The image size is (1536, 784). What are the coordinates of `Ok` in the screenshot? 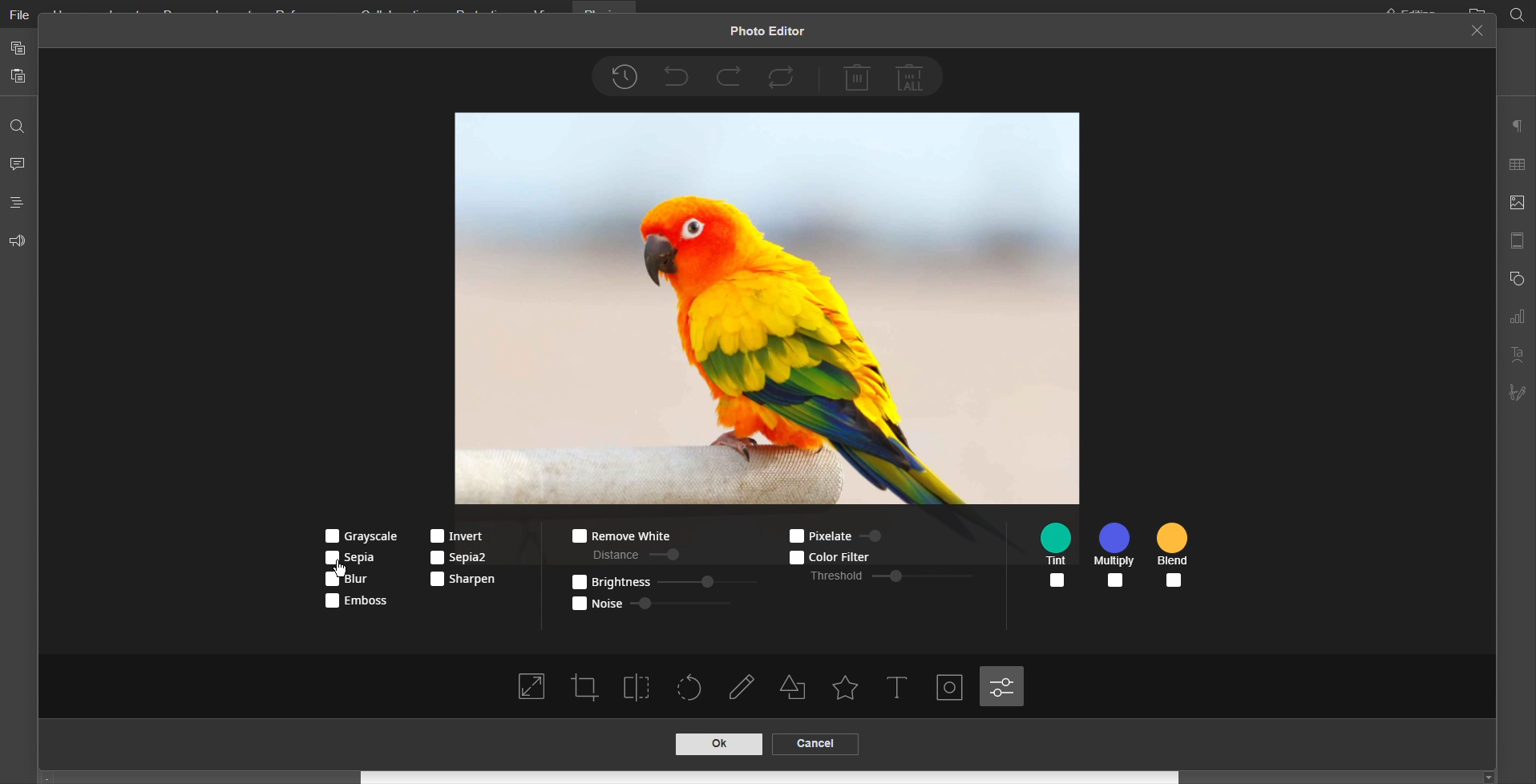 It's located at (717, 745).